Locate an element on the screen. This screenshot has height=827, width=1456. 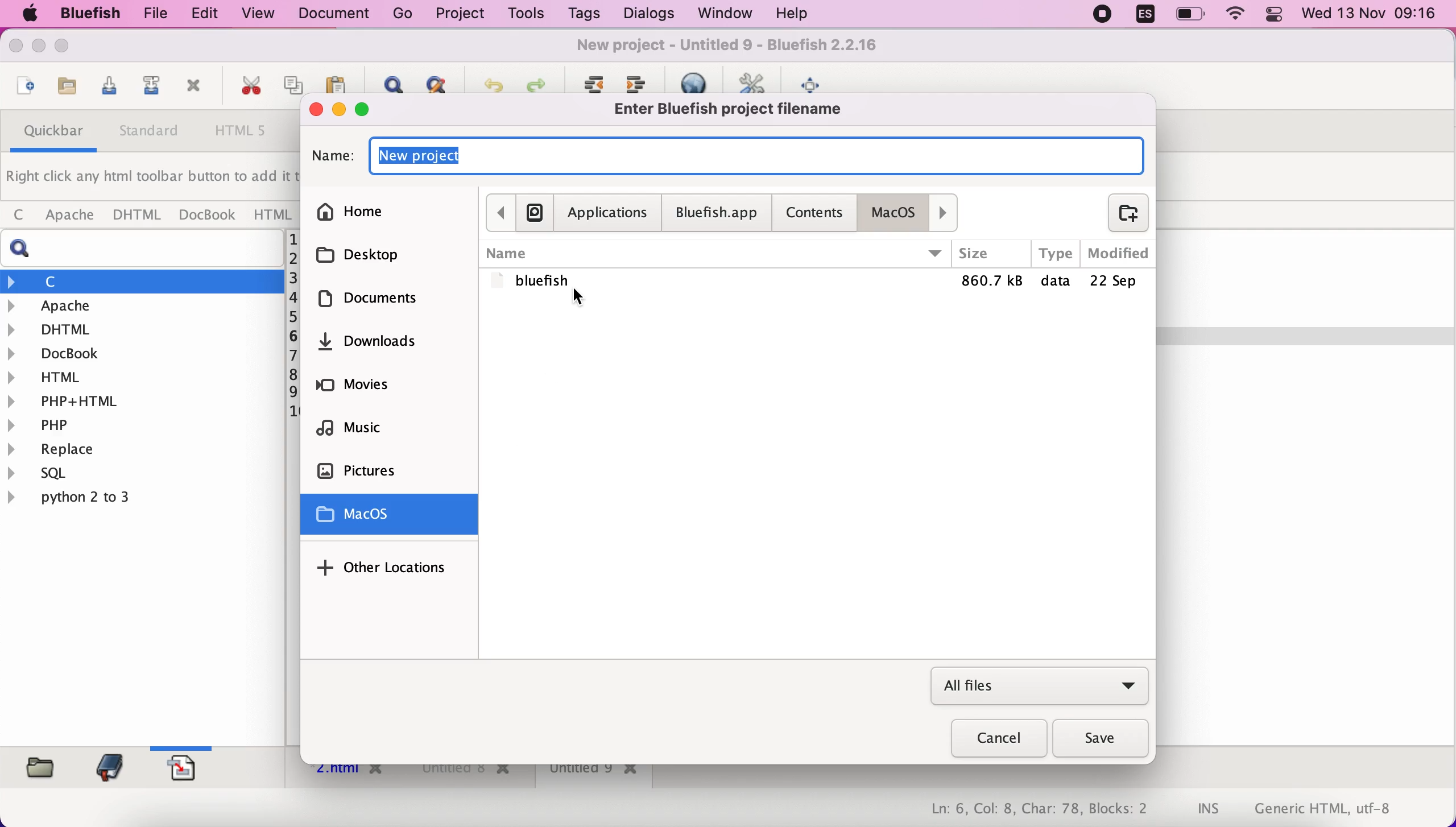
macos is located at coordinates (897, 212).